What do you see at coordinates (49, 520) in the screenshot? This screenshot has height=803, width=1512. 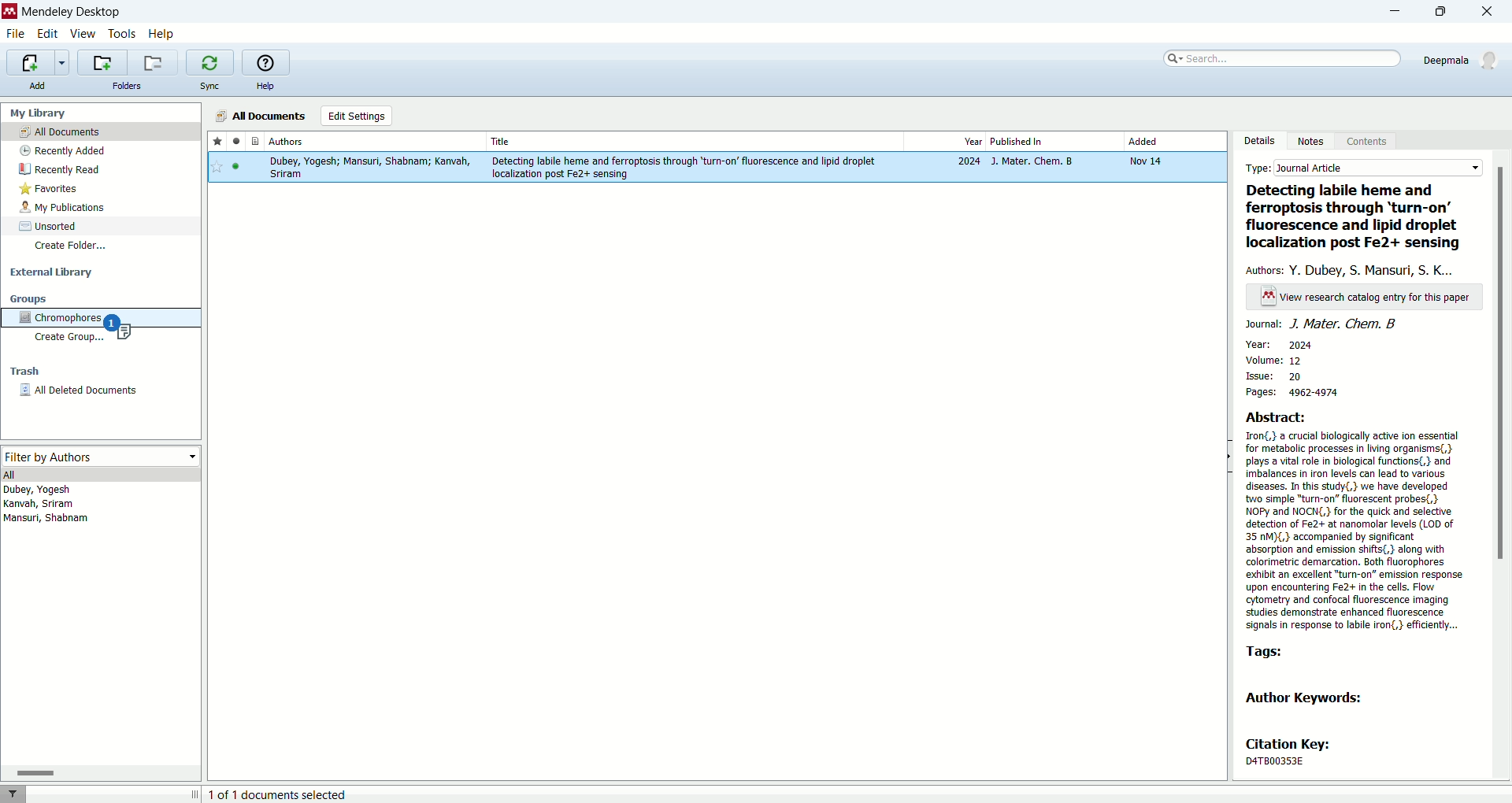 I see `Mansuri, shabnam` at bounding box center [49, 520].